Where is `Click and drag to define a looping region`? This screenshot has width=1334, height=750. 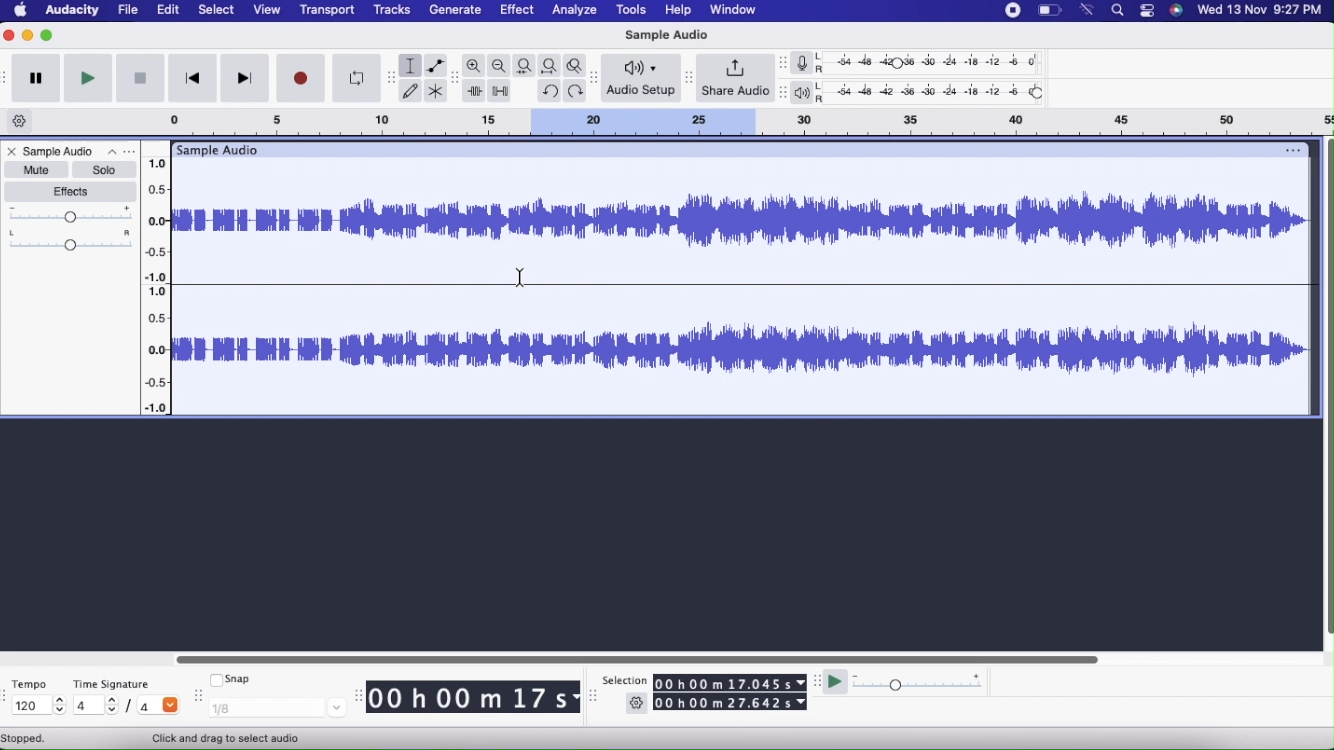 Click and drag to define a looping region is located at coordinates (725, 121).